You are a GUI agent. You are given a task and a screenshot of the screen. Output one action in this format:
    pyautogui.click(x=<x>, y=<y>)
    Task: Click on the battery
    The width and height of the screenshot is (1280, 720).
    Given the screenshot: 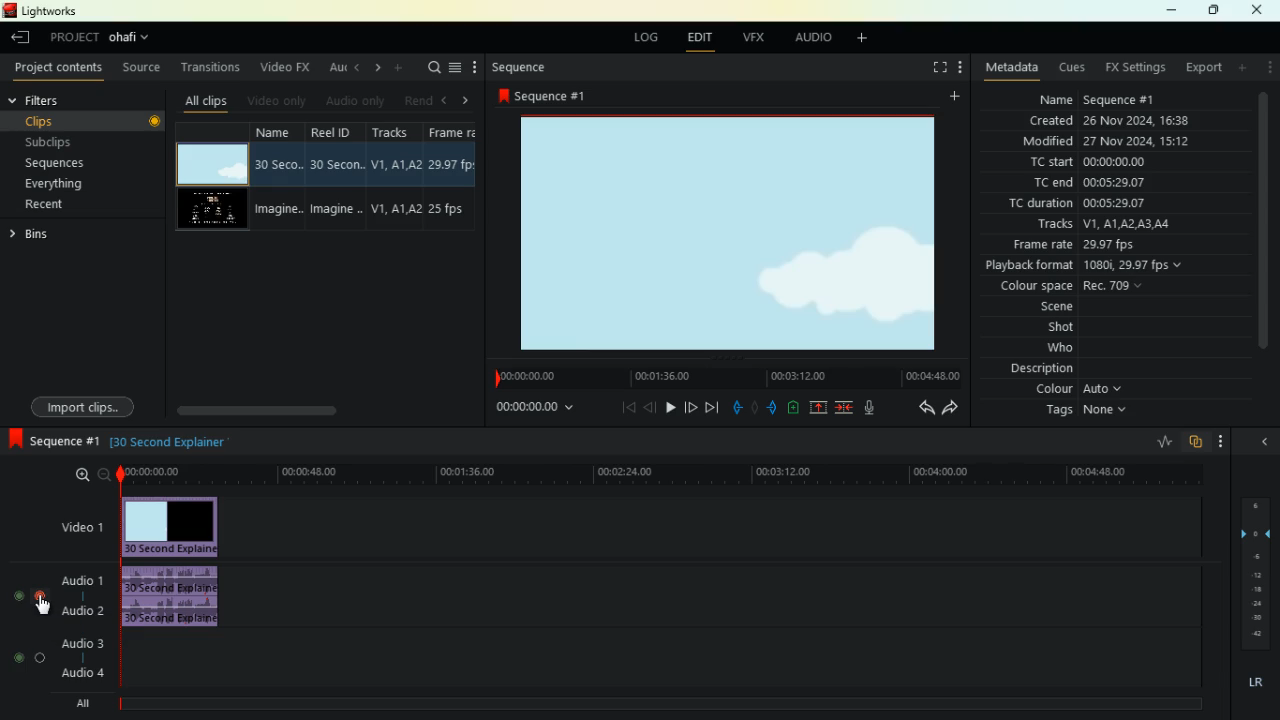 What is the action you would take?
    pyautogui.click(x=794, y=409)
    